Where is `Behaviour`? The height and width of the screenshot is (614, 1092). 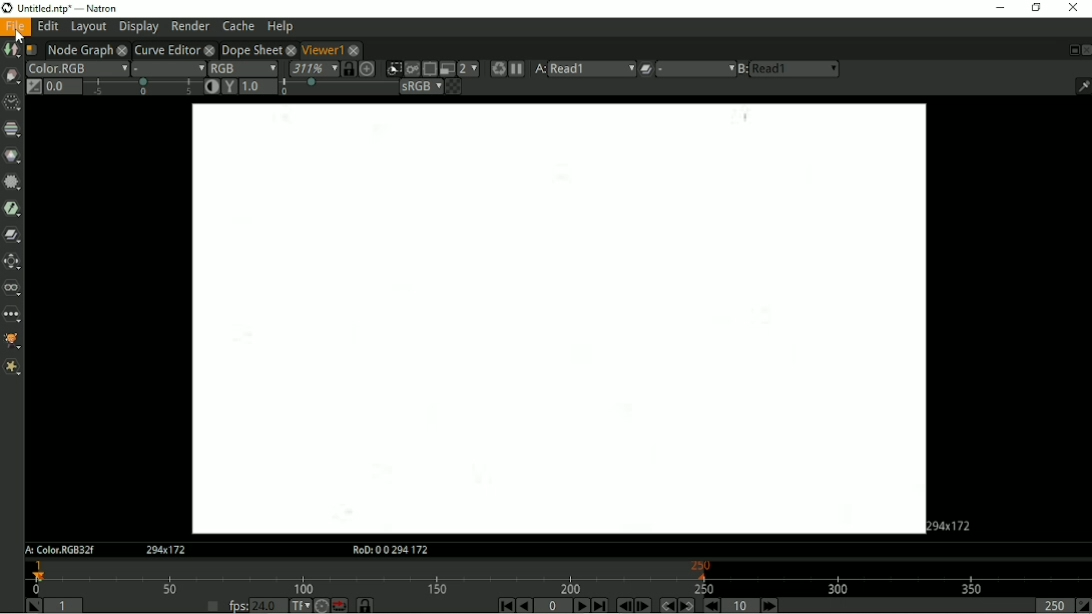 Behaviour is located at coordinates (340, 605).